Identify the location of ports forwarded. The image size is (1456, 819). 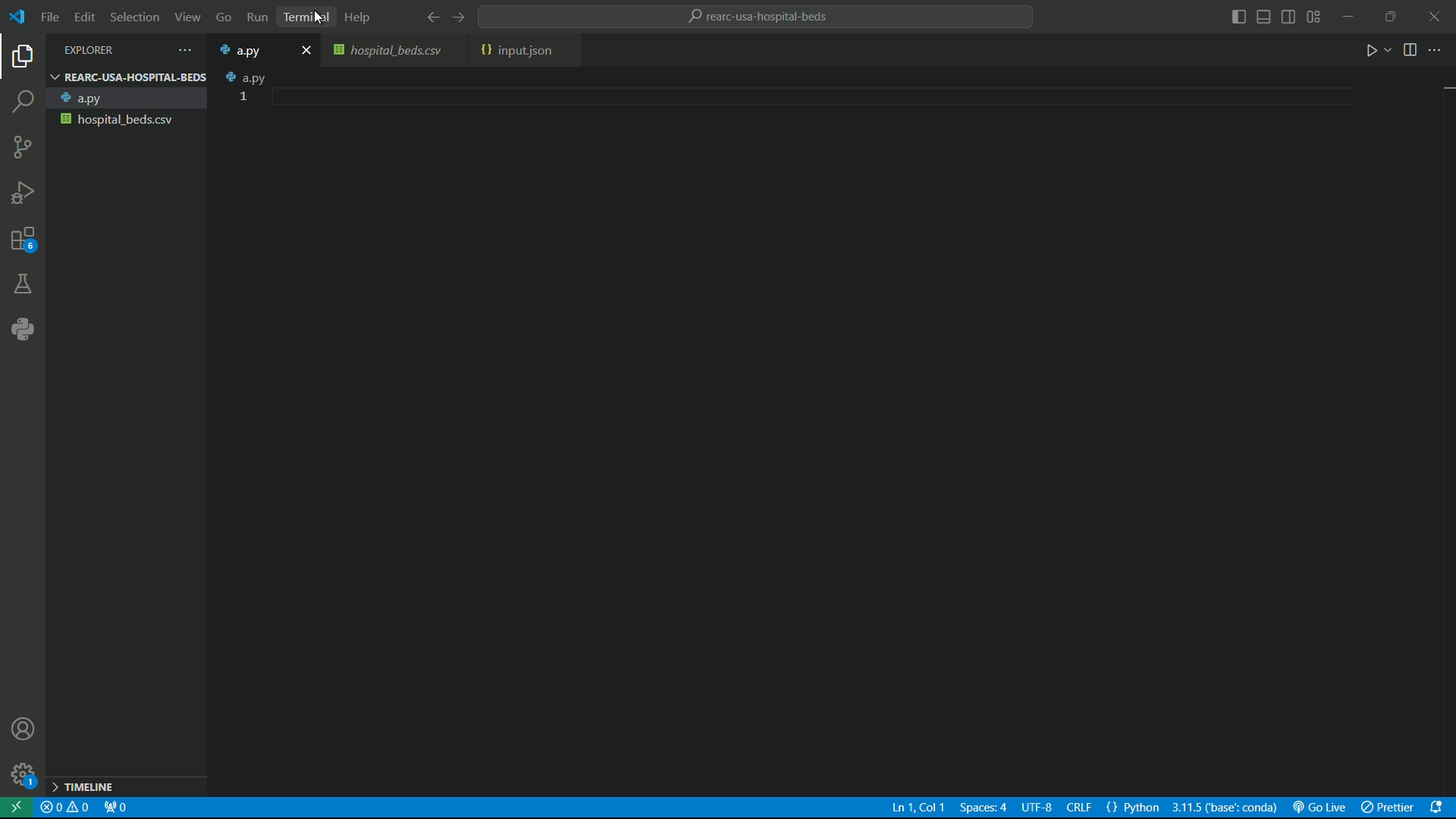
(116, 808).